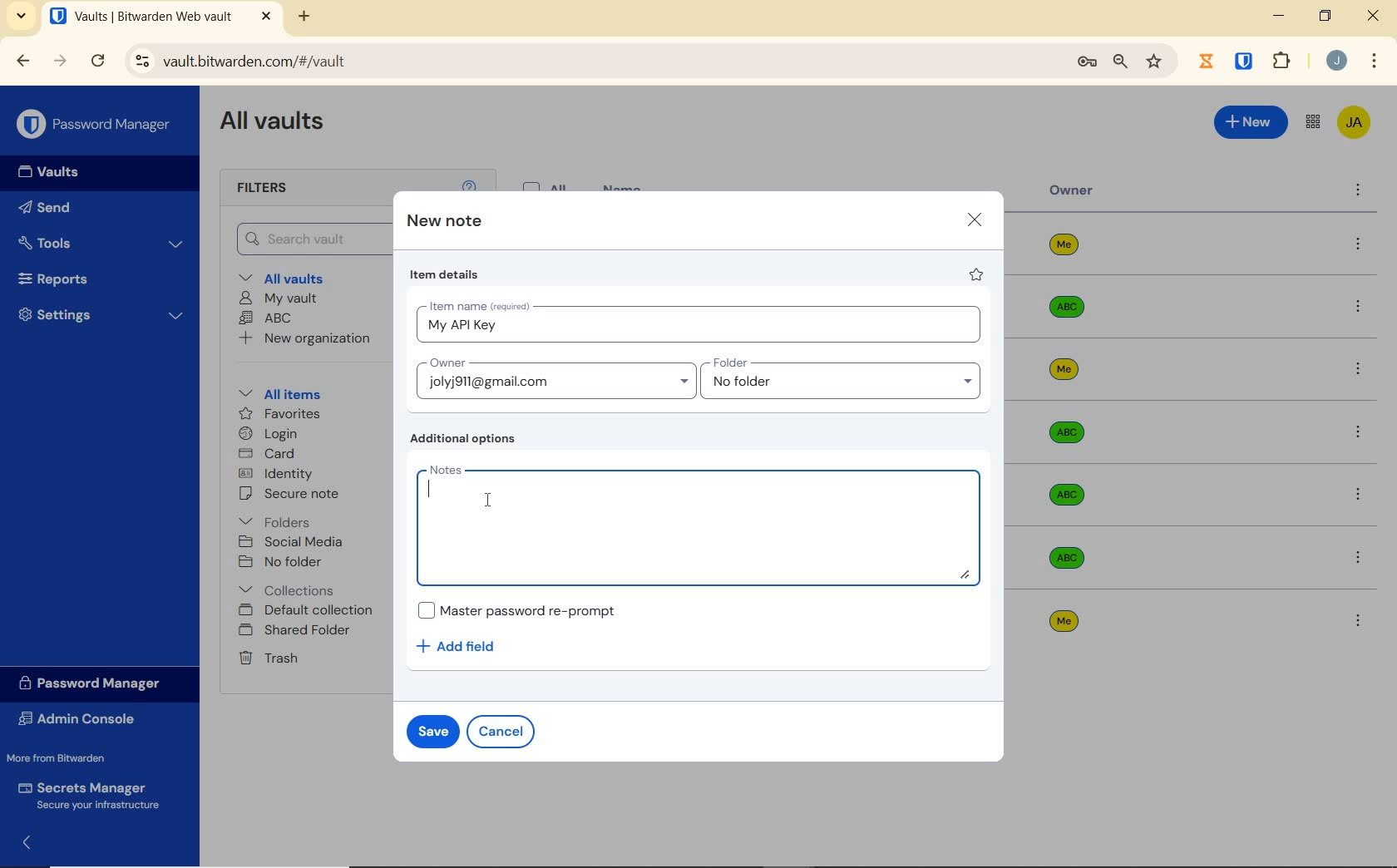  What do you see at coordinates (265, 189) in the screenshot?
I see `Filters` at bounding box center [265, 189].